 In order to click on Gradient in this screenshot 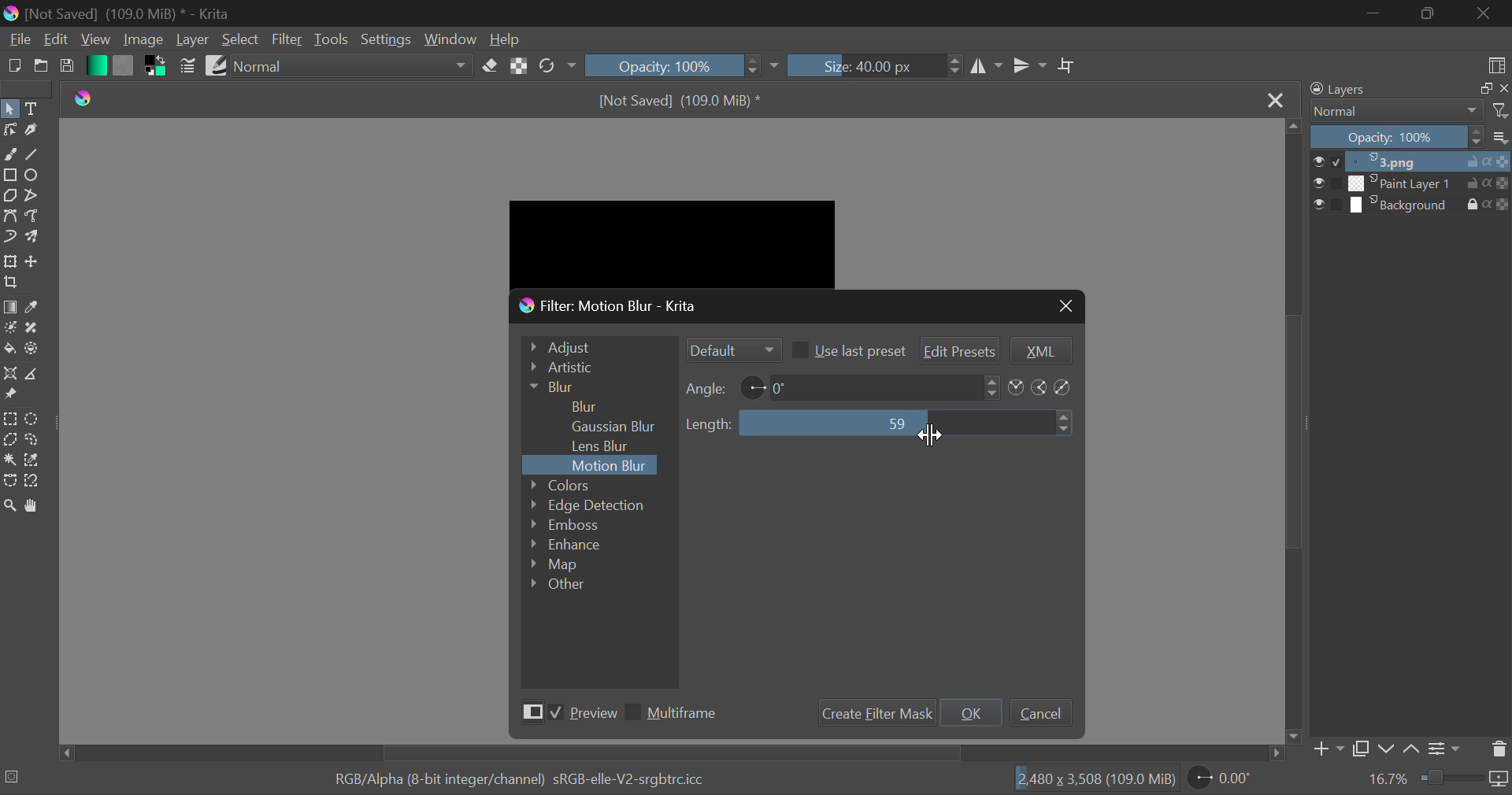, I will do `click(95, 65)`.